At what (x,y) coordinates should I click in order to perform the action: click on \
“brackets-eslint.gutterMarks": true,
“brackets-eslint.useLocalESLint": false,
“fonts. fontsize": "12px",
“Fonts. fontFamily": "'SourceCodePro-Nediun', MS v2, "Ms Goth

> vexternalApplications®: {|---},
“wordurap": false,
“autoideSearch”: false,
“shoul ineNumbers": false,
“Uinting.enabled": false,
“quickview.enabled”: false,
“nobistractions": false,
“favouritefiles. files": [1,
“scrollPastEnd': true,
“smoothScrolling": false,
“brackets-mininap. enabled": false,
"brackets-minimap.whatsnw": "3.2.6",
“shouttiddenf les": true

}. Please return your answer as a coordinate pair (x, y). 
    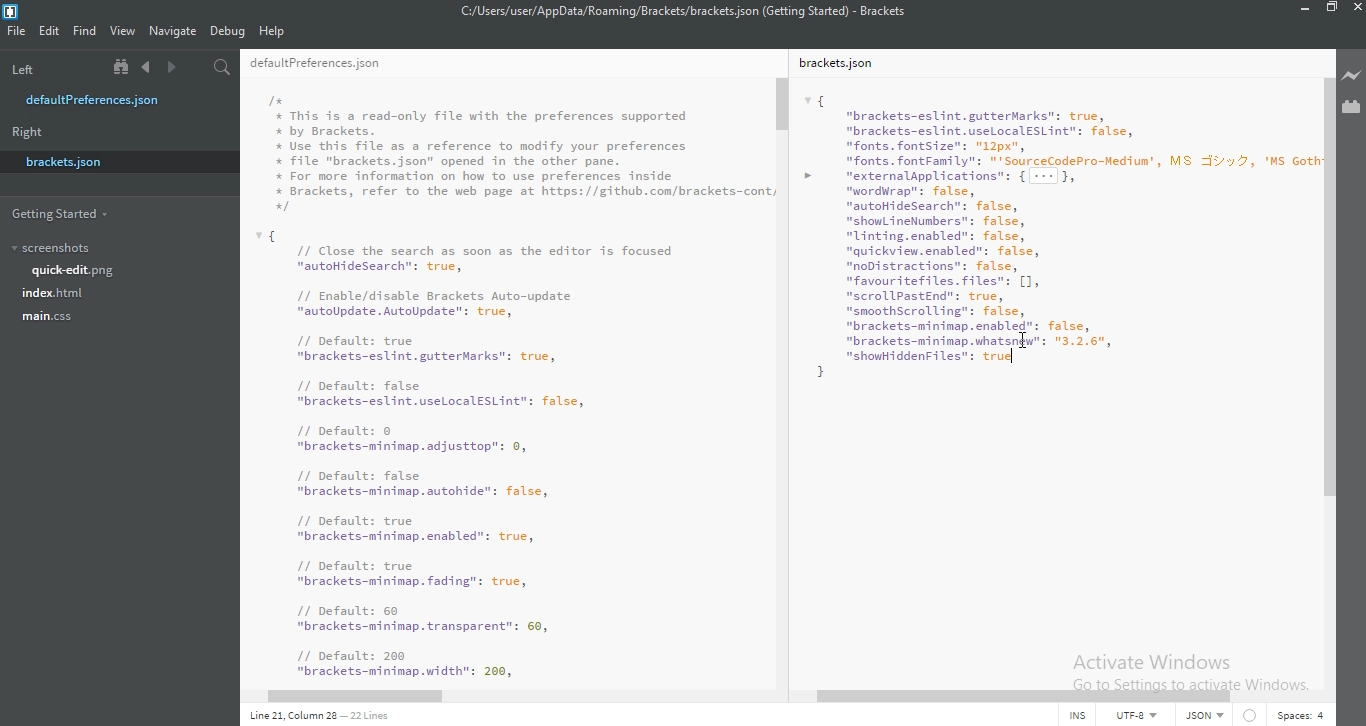
    Looking at the image, I should click on (1056, 234).